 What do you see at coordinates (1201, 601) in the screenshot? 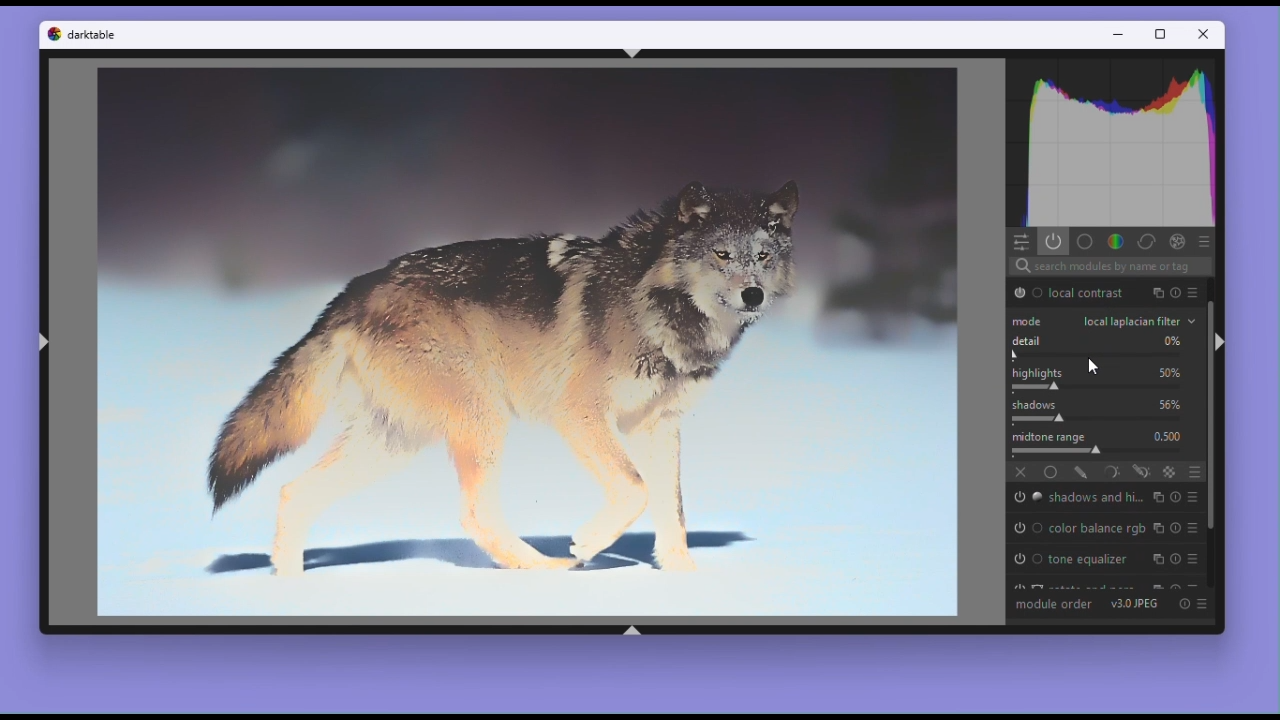
I see `Present` at bounding box center [1201, 601].